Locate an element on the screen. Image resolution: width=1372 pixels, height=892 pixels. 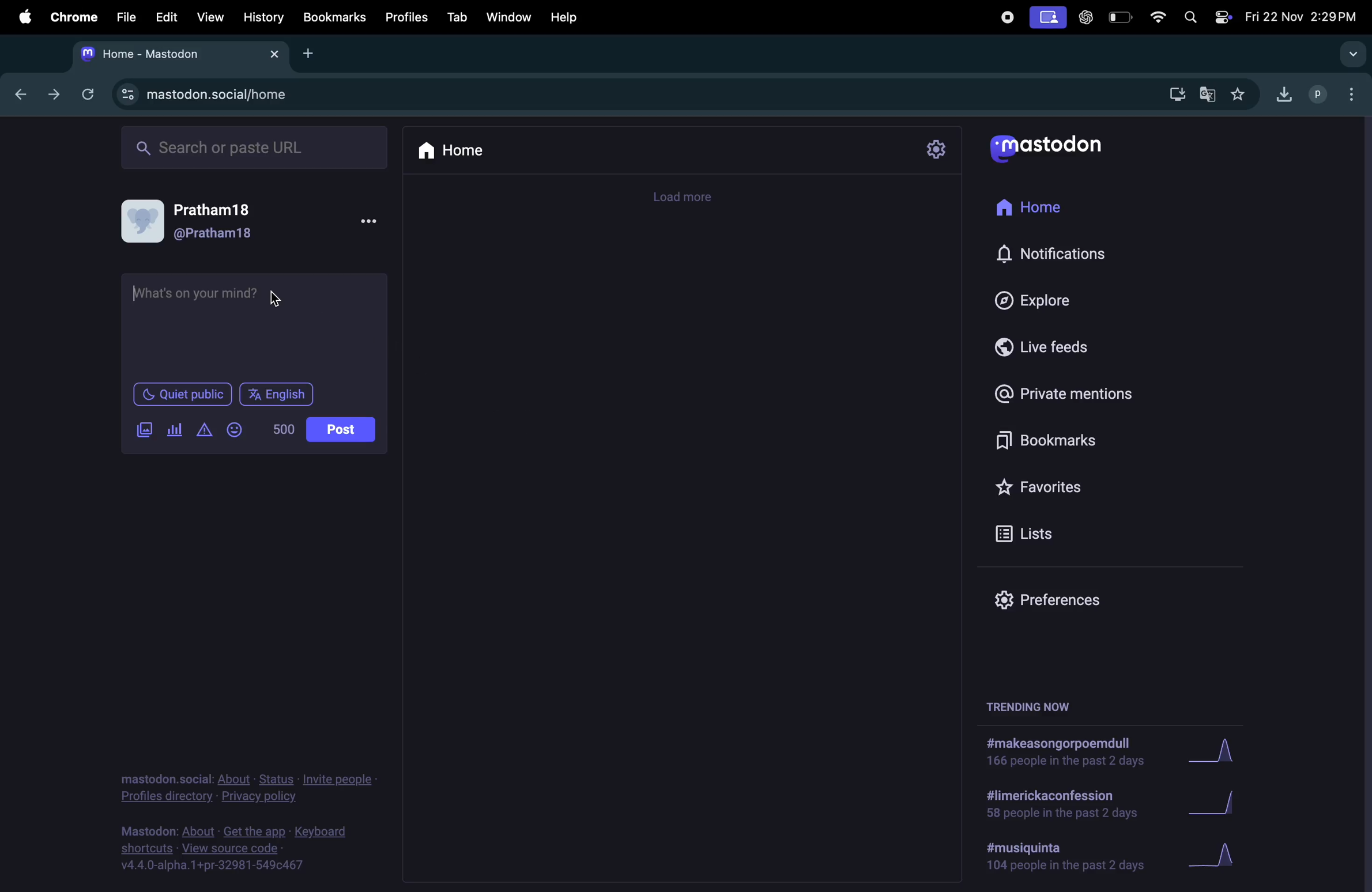
backtab is located at coordinates (17, 95).